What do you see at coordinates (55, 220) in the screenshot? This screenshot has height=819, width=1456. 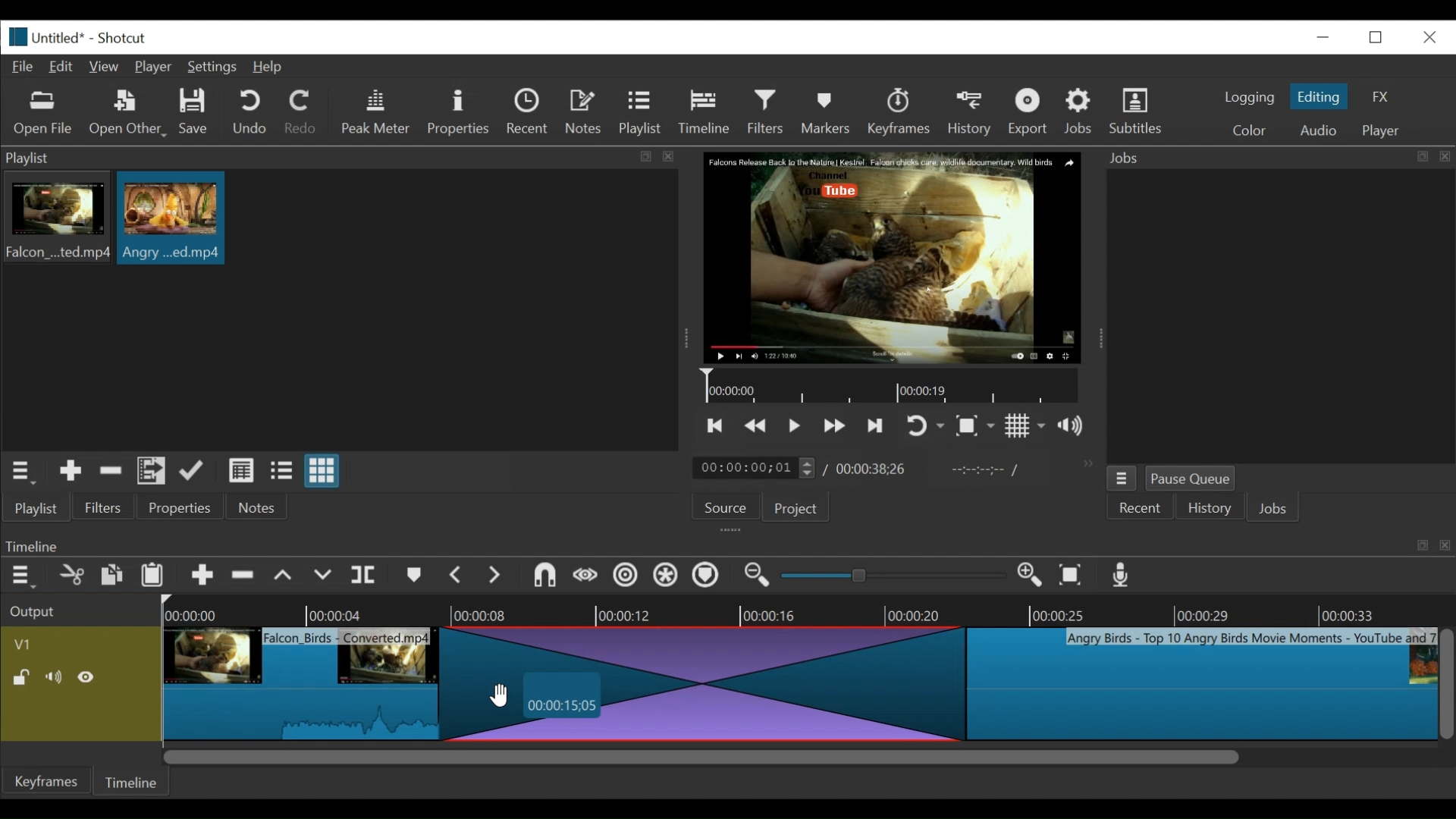 I see `clip` at bounding box center [55, 220].